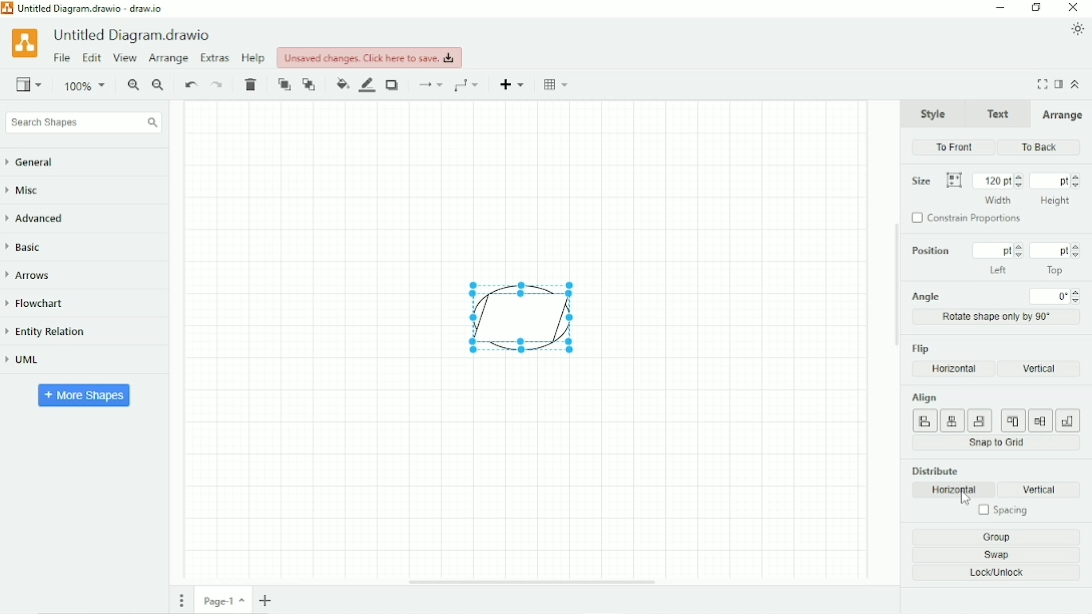 The height and width of the screenshot is (614, 1092). I want to click on Size, so click(936, 181).